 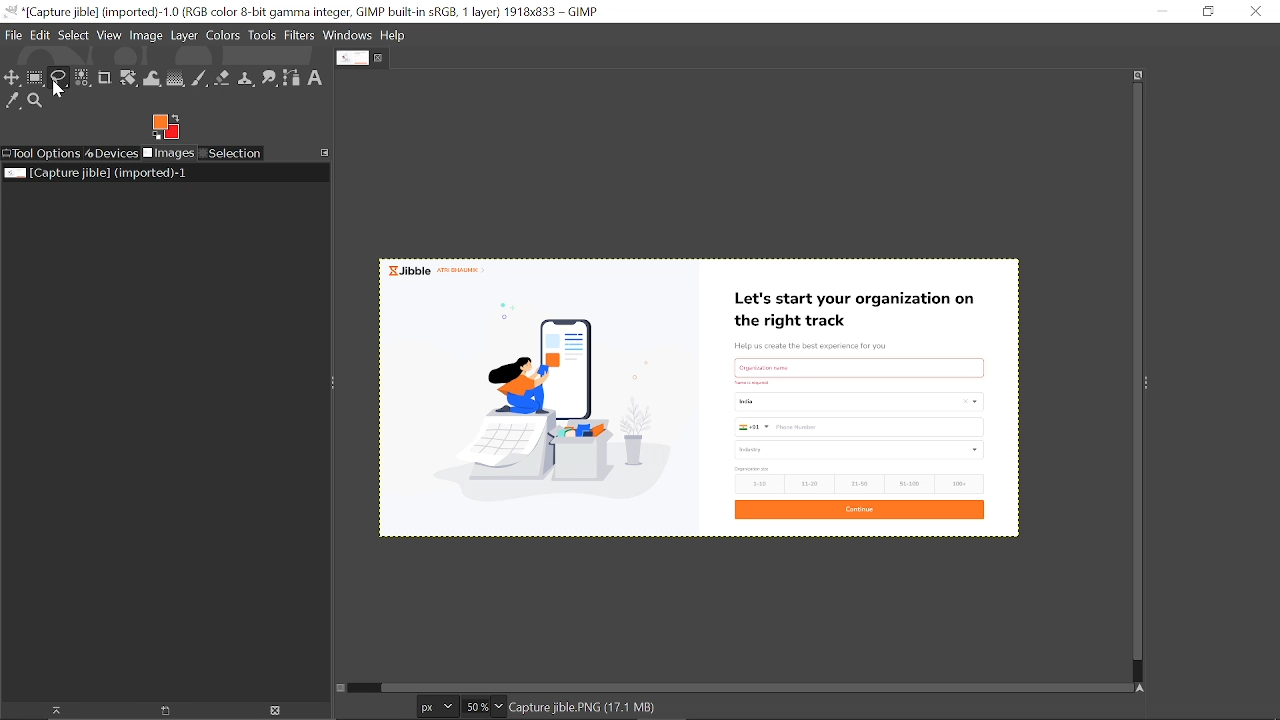 What do you see at coordinates (50, 711) in the screenshot?
I see `Raise dispaly` at bounding box center [50, 711].